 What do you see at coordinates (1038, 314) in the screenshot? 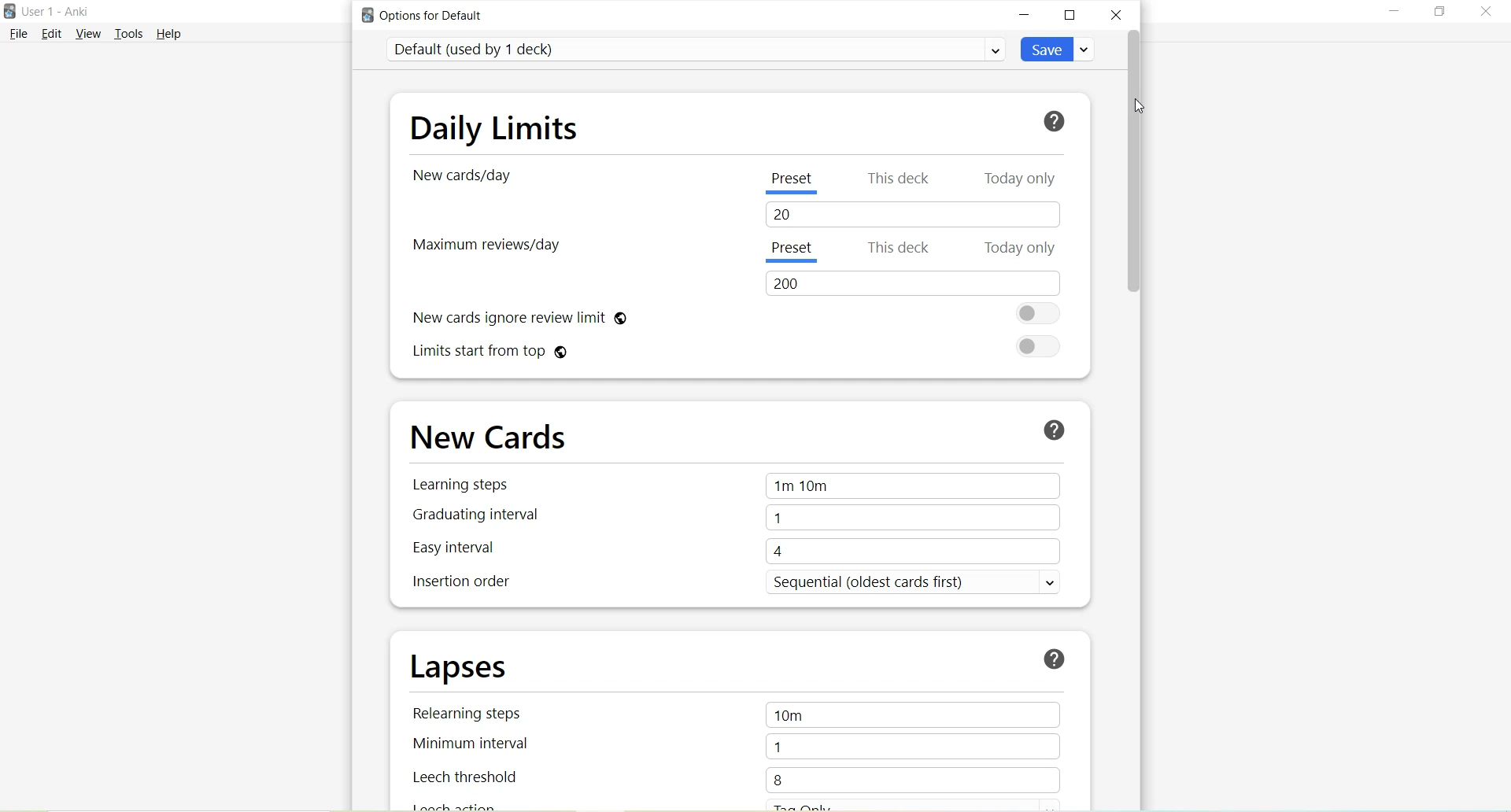
I see `Toggle` at bounding box center [1038, 314].